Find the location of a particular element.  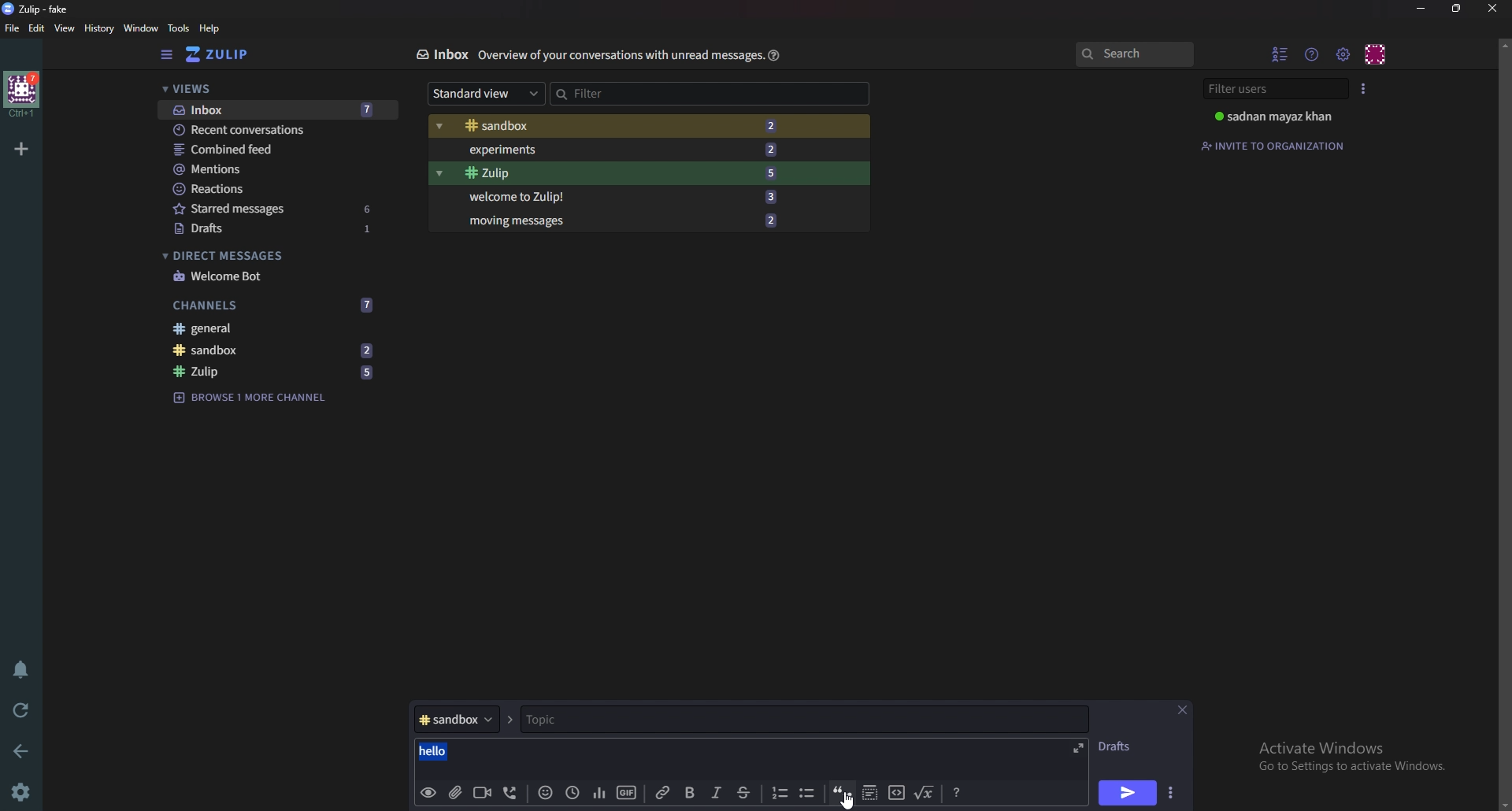

sidebar is located at coordinates (167, 55).